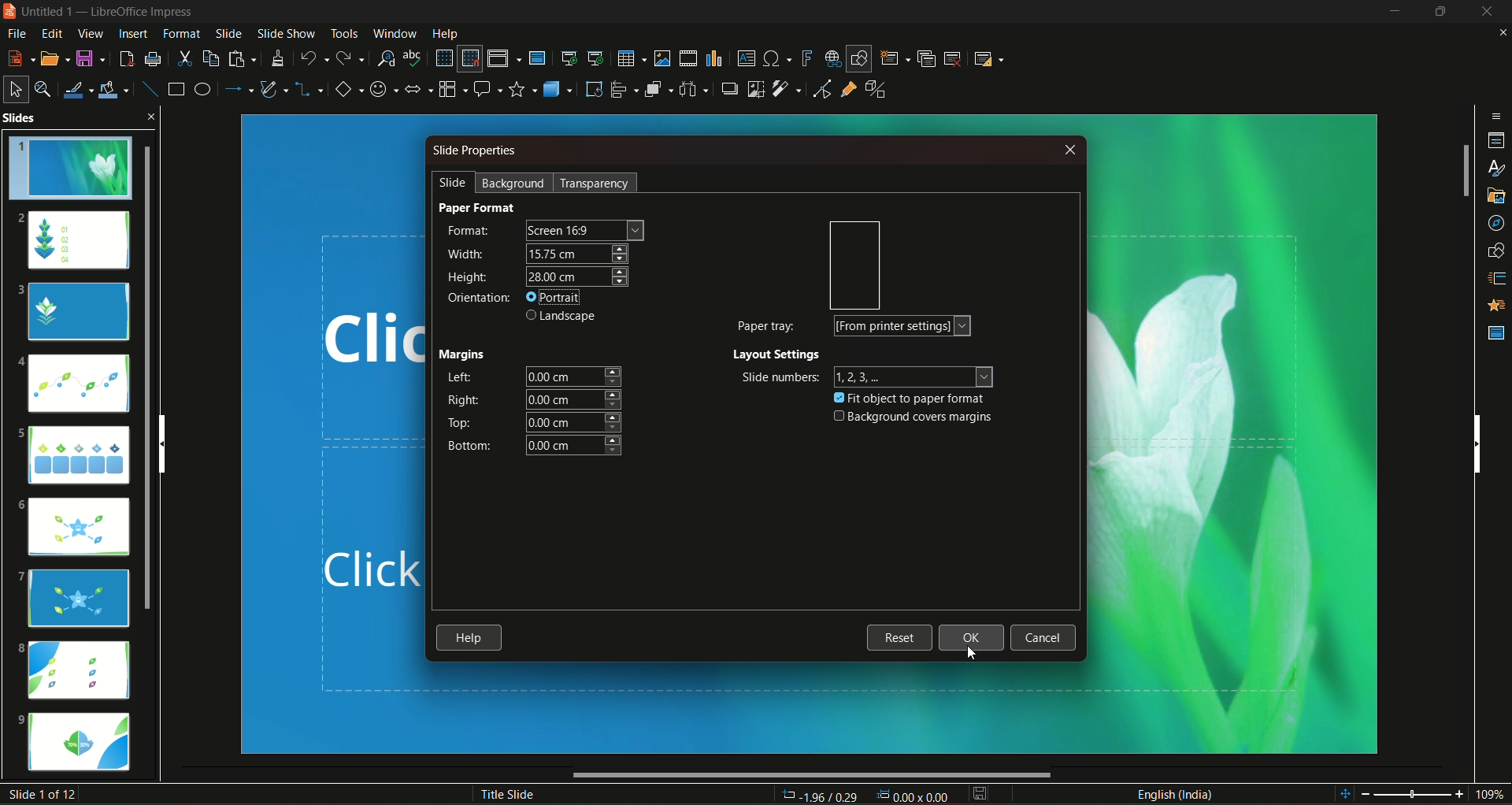  Describe the element at coordinates (503, 58) in the screenshot. I see `display views` at that location.